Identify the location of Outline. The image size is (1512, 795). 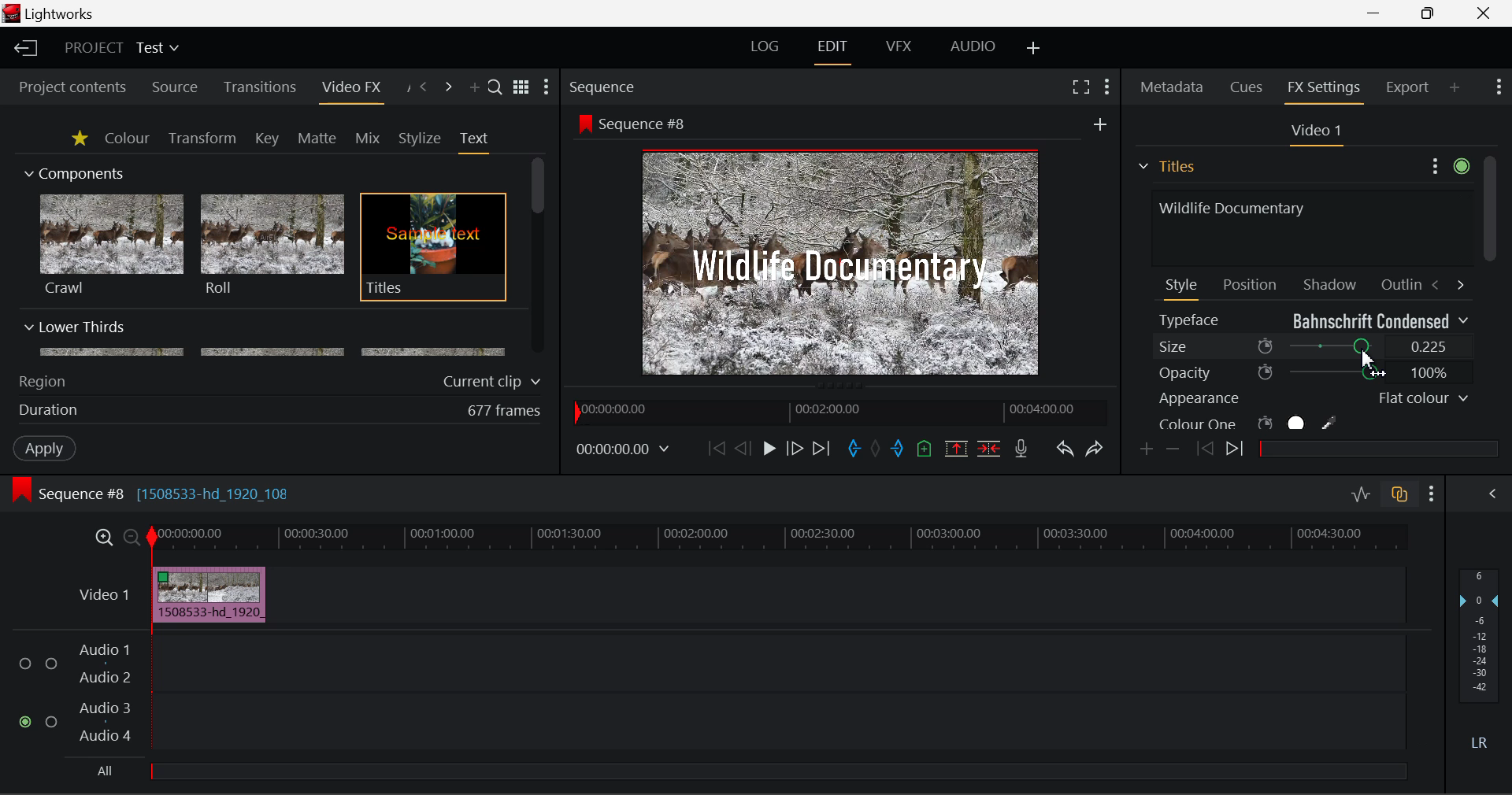
(1399, 283).